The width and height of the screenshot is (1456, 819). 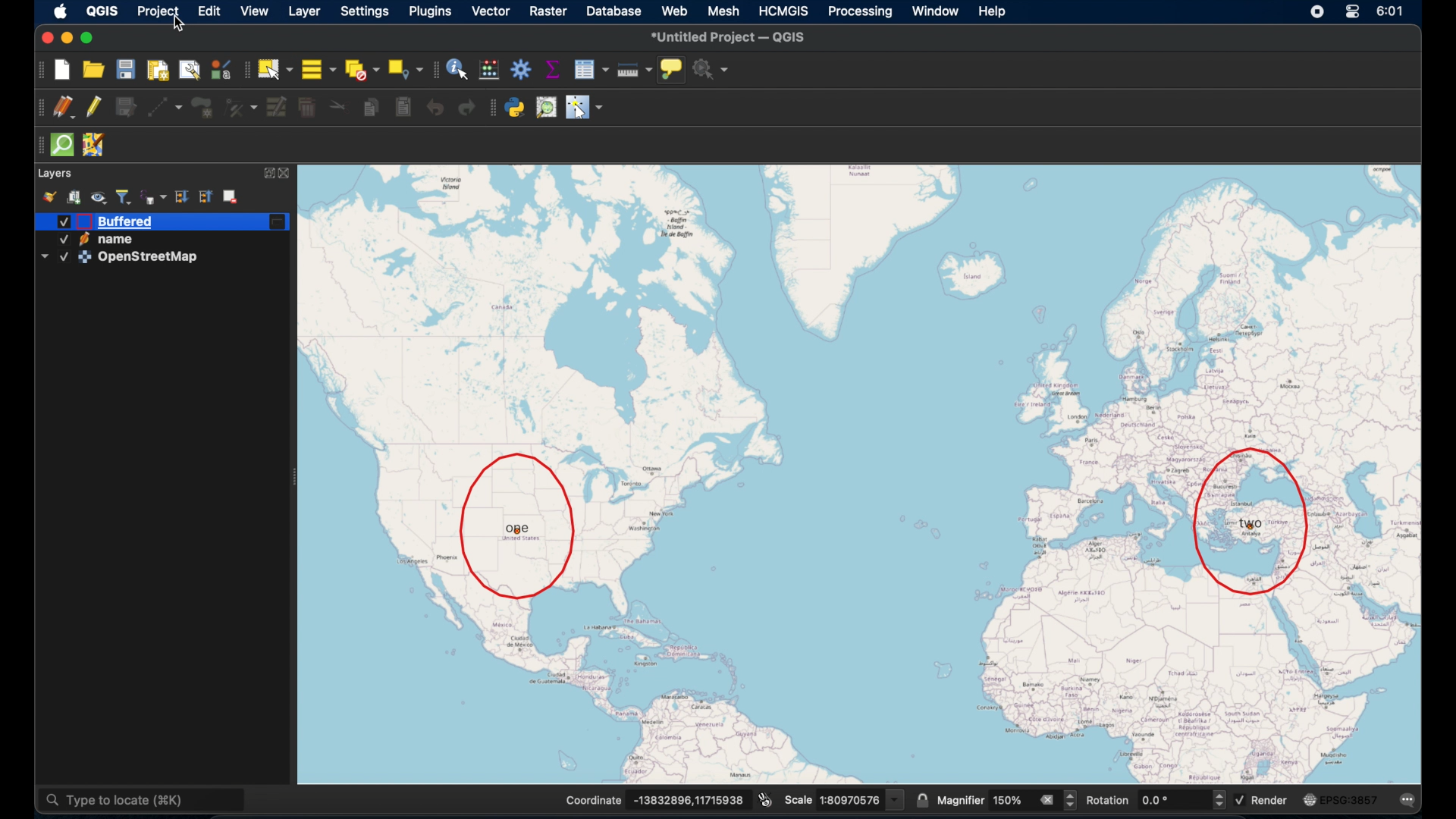 I want to click on raster, so click(x=549, y=11).